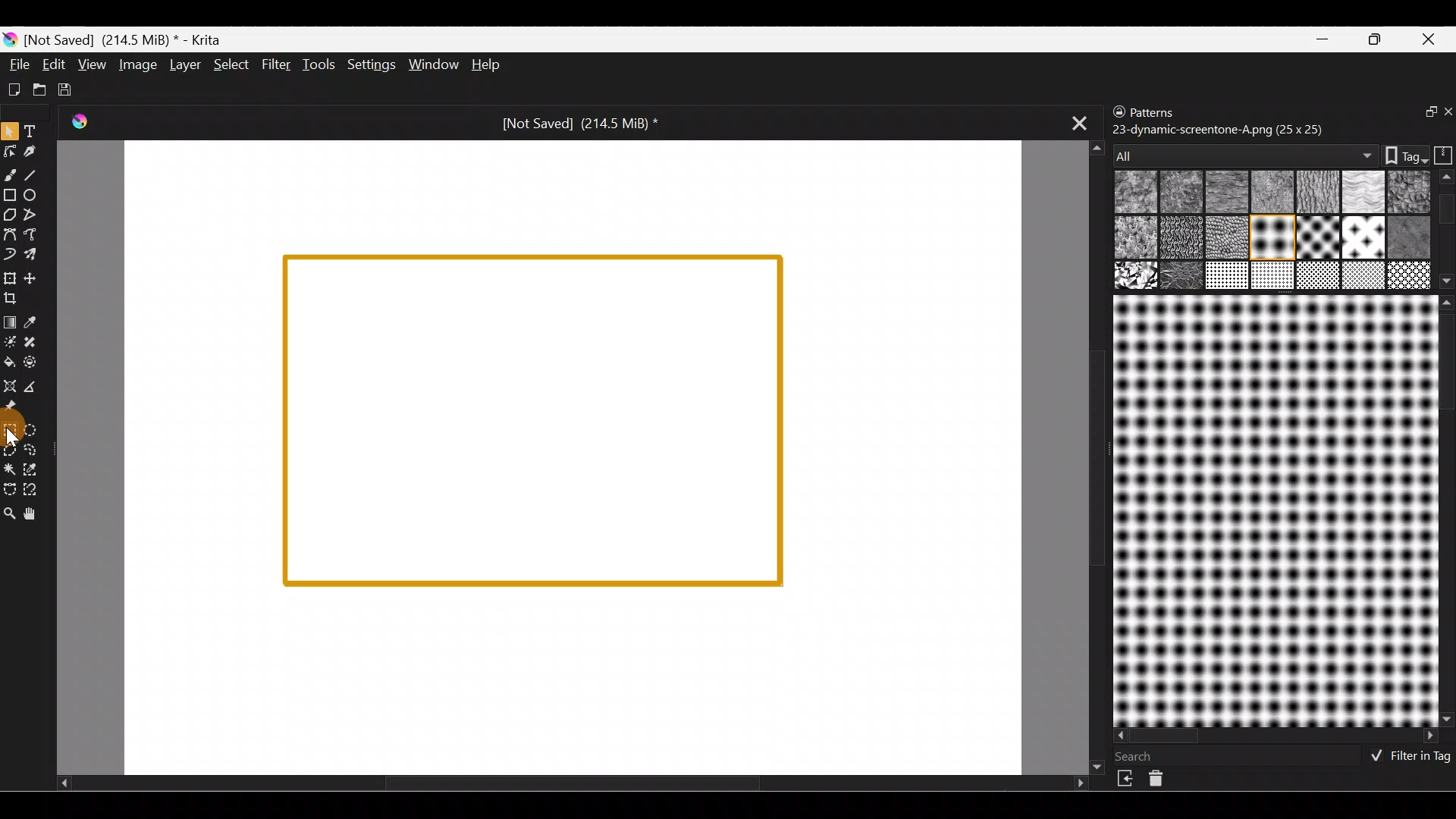 The height and width of the screenshot is (819, 1456). Describe the element at coordinates (32, 215) in the screenshot. I see `Polyline tool` at that location.